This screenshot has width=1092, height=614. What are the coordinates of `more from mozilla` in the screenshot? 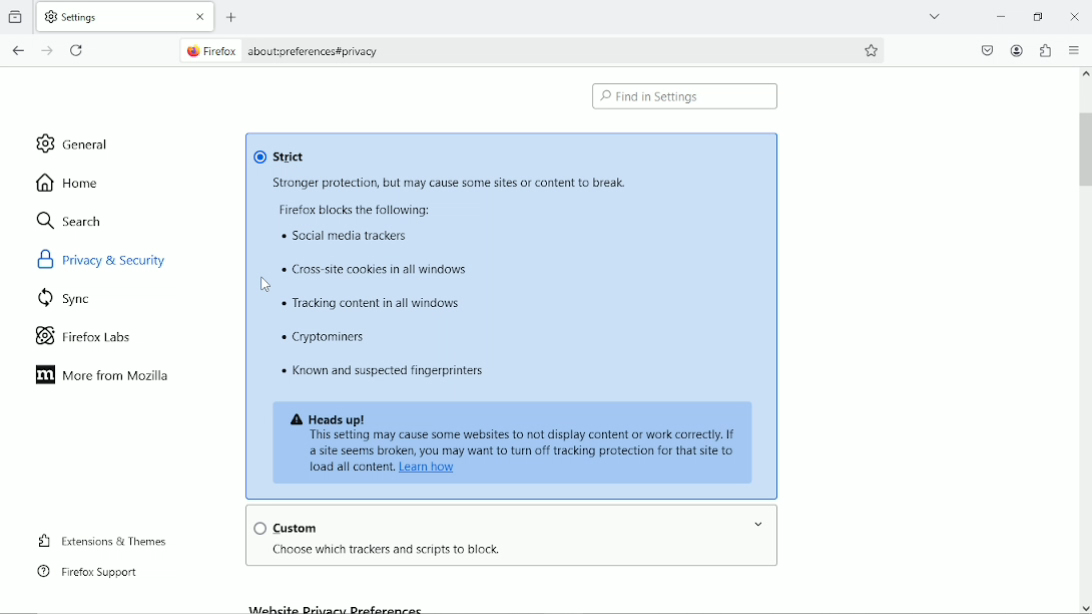 It's located at (103, 375).